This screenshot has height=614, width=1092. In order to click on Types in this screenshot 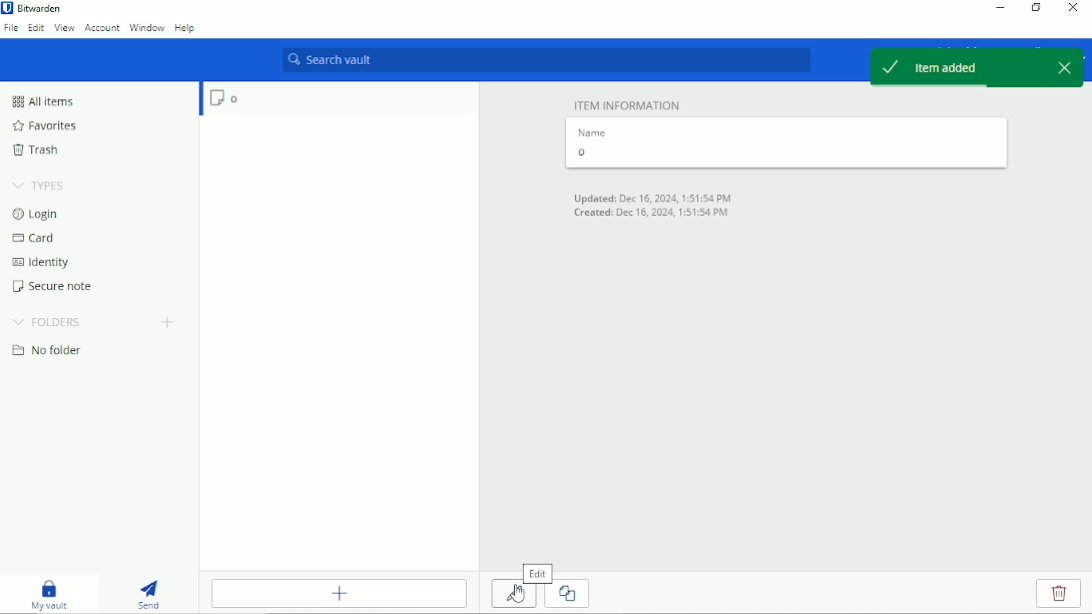, I will do `click(40, 185)`.